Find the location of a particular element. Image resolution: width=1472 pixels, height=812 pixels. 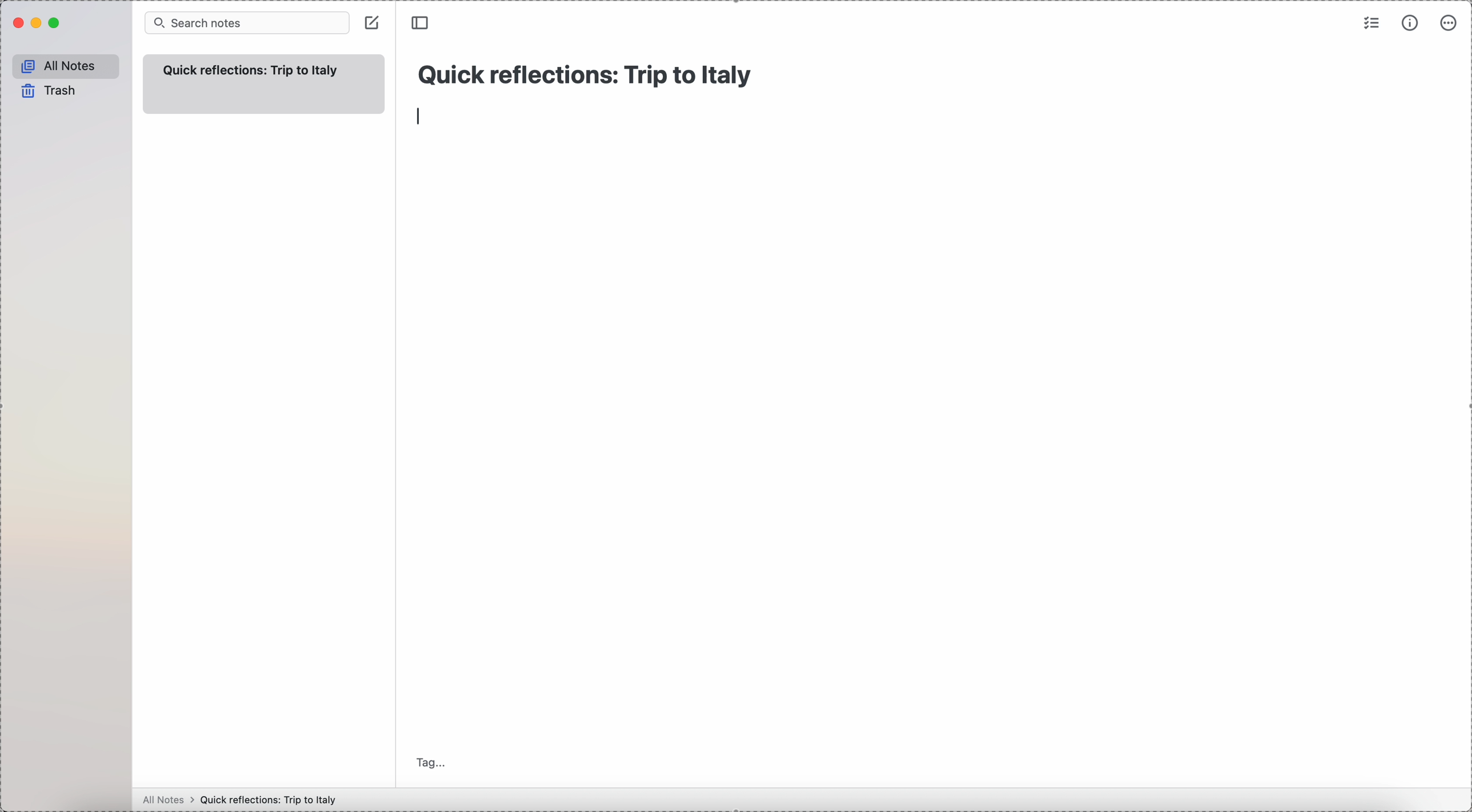

Quick reflections: Trip to Italy is located at coordinates (582, 79).